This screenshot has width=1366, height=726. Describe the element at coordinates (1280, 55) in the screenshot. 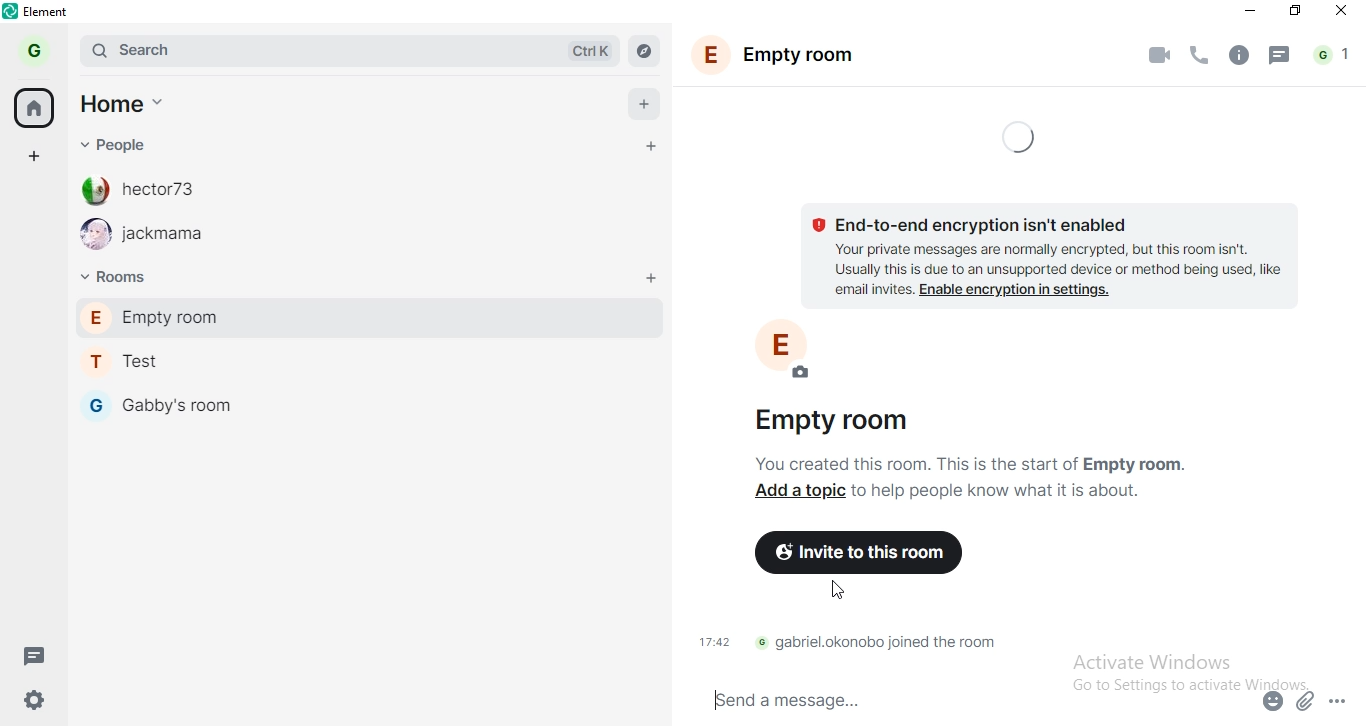

I see `message` at that location.